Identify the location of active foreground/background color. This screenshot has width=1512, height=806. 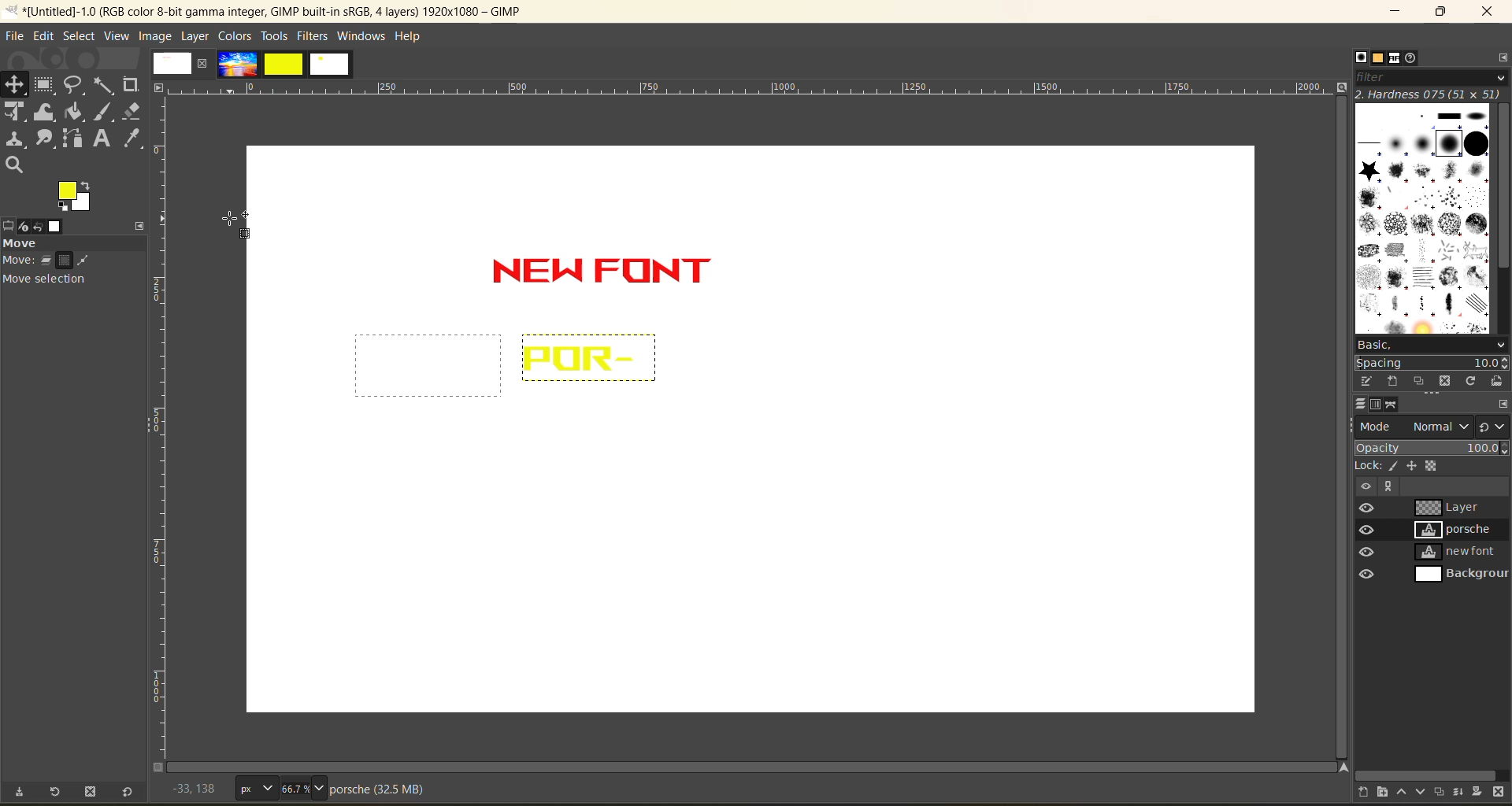
(75, 196).